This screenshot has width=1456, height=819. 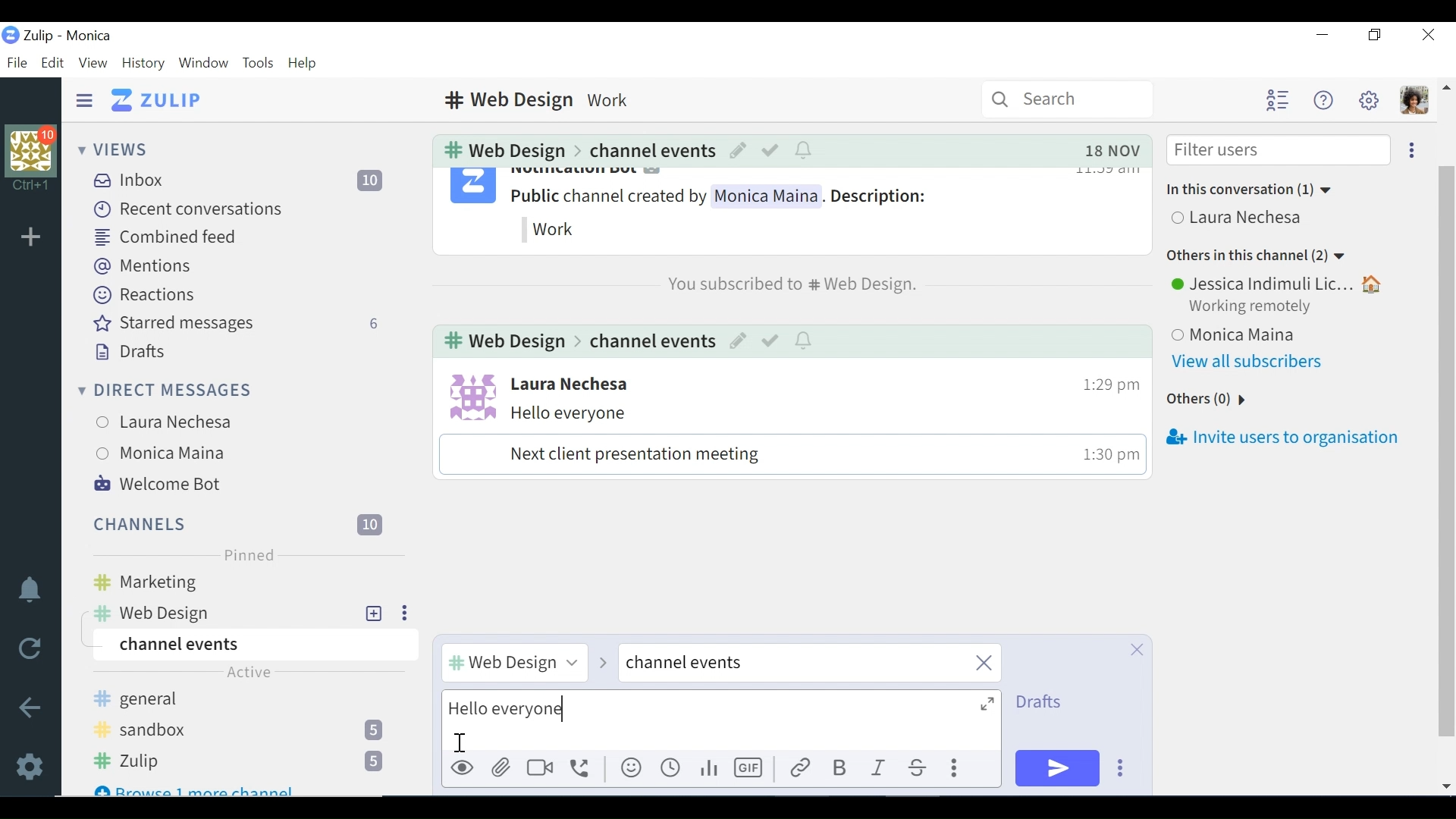 I want to click on Compose message (Hello everyone), so click(x=721, y=720).